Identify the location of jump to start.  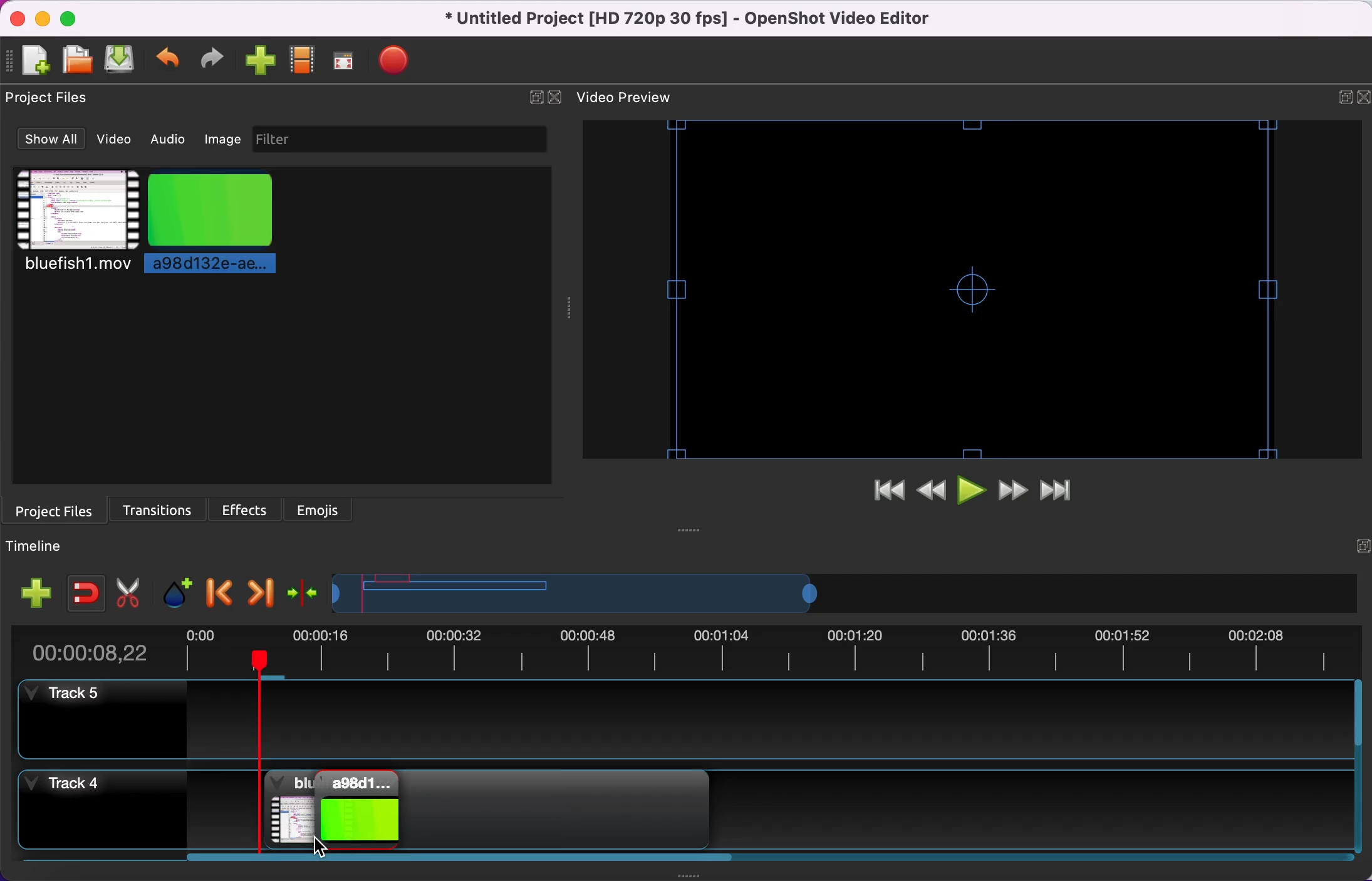
(888, 492).